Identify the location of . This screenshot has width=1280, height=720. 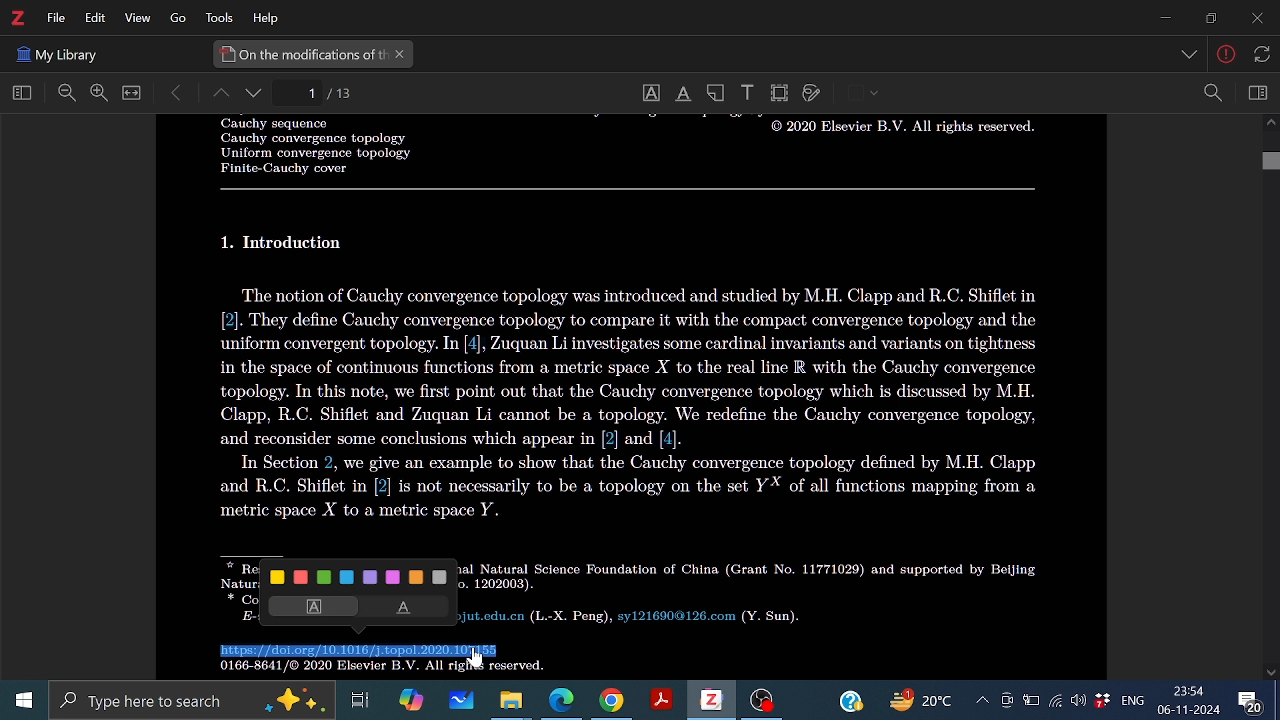
(1259, 53).